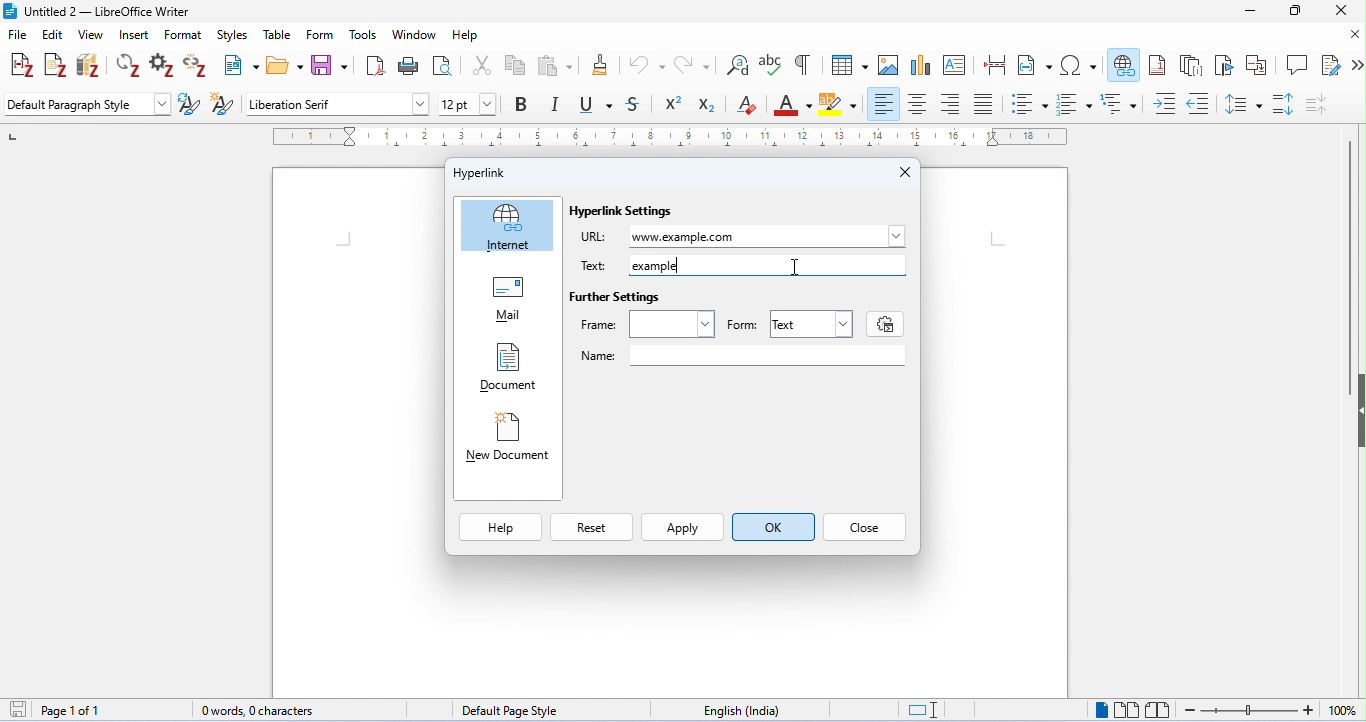 This screenshot has height=722, width=1366. Describe the element at coordinates (602, 65) in the screenshot. I see `clone` at that location.